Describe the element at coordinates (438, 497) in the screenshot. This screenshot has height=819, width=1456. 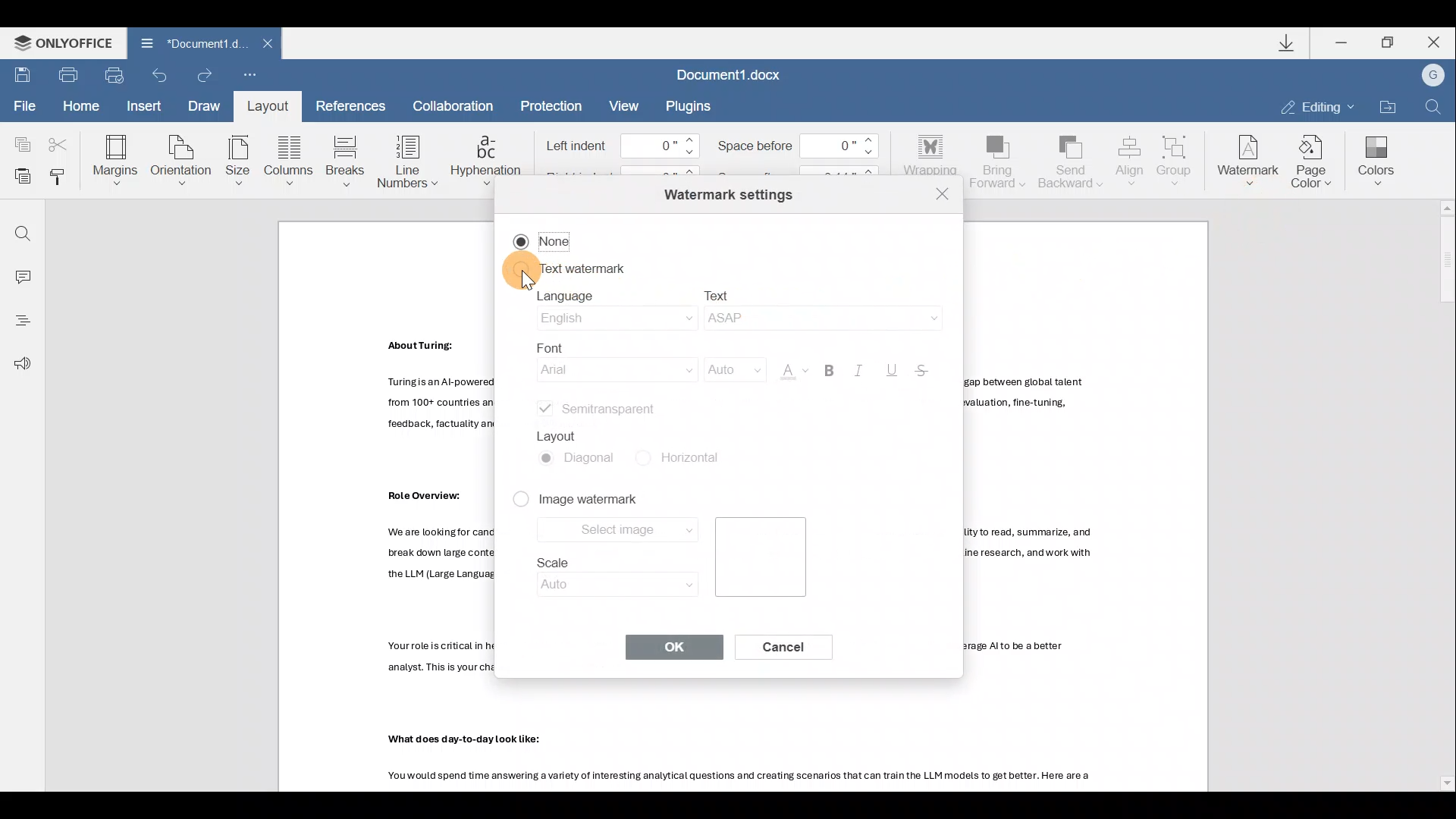
I see `` at that location.